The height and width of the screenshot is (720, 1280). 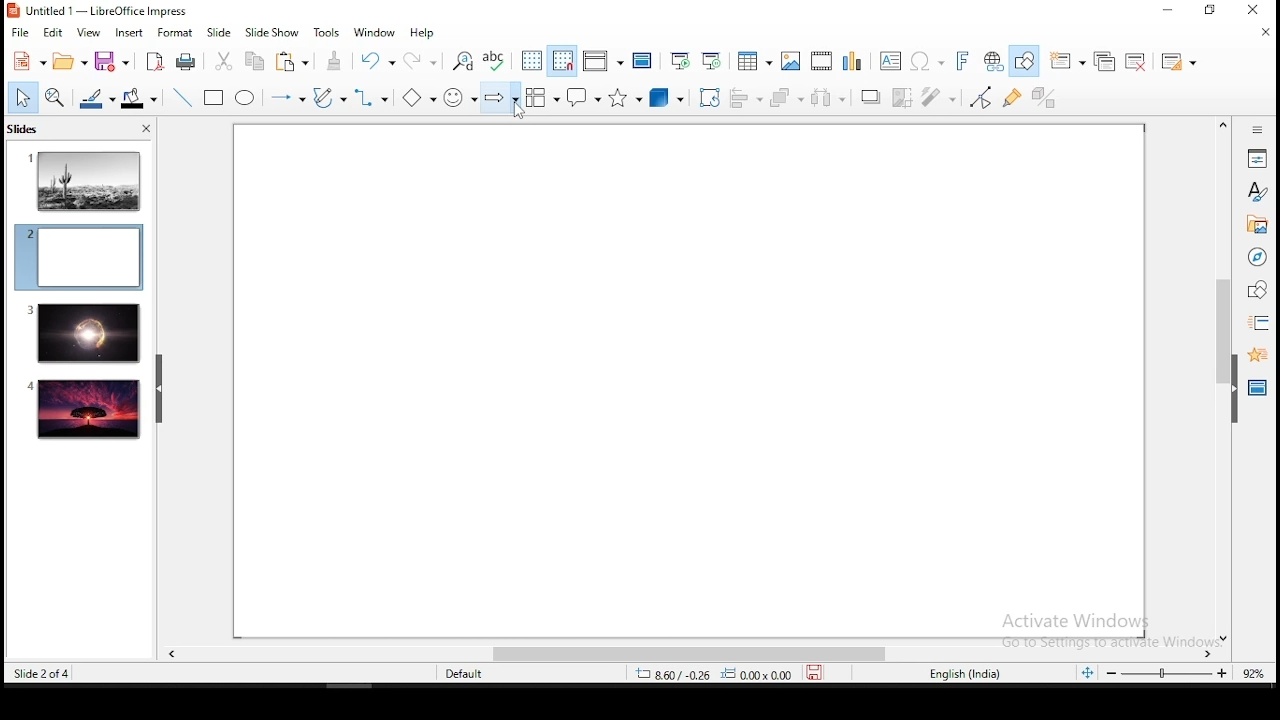 I want to click on toggle point edit mode, so click(x=981, y=99).